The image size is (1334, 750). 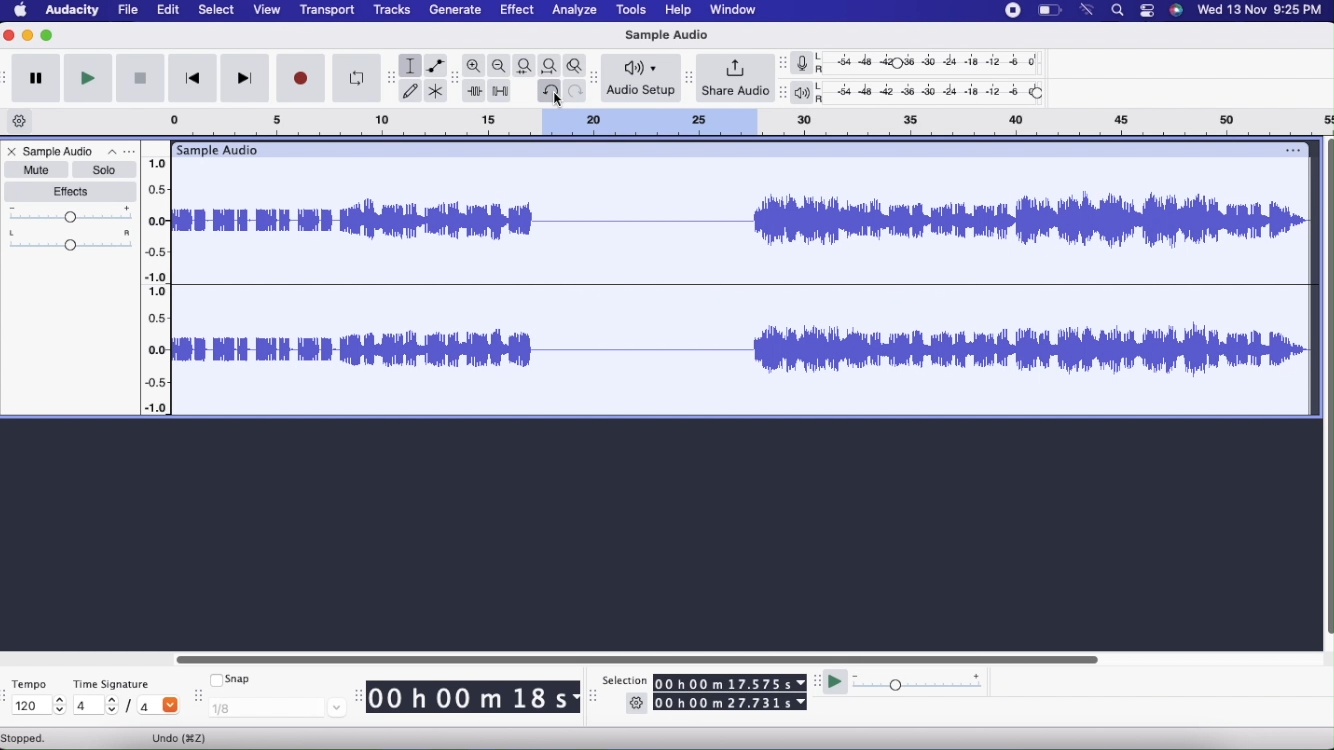 What do you see at coordinates (1326, 391) in the screenshot?
I see `vertical scrollbar` at bounding box center [1326, 391].